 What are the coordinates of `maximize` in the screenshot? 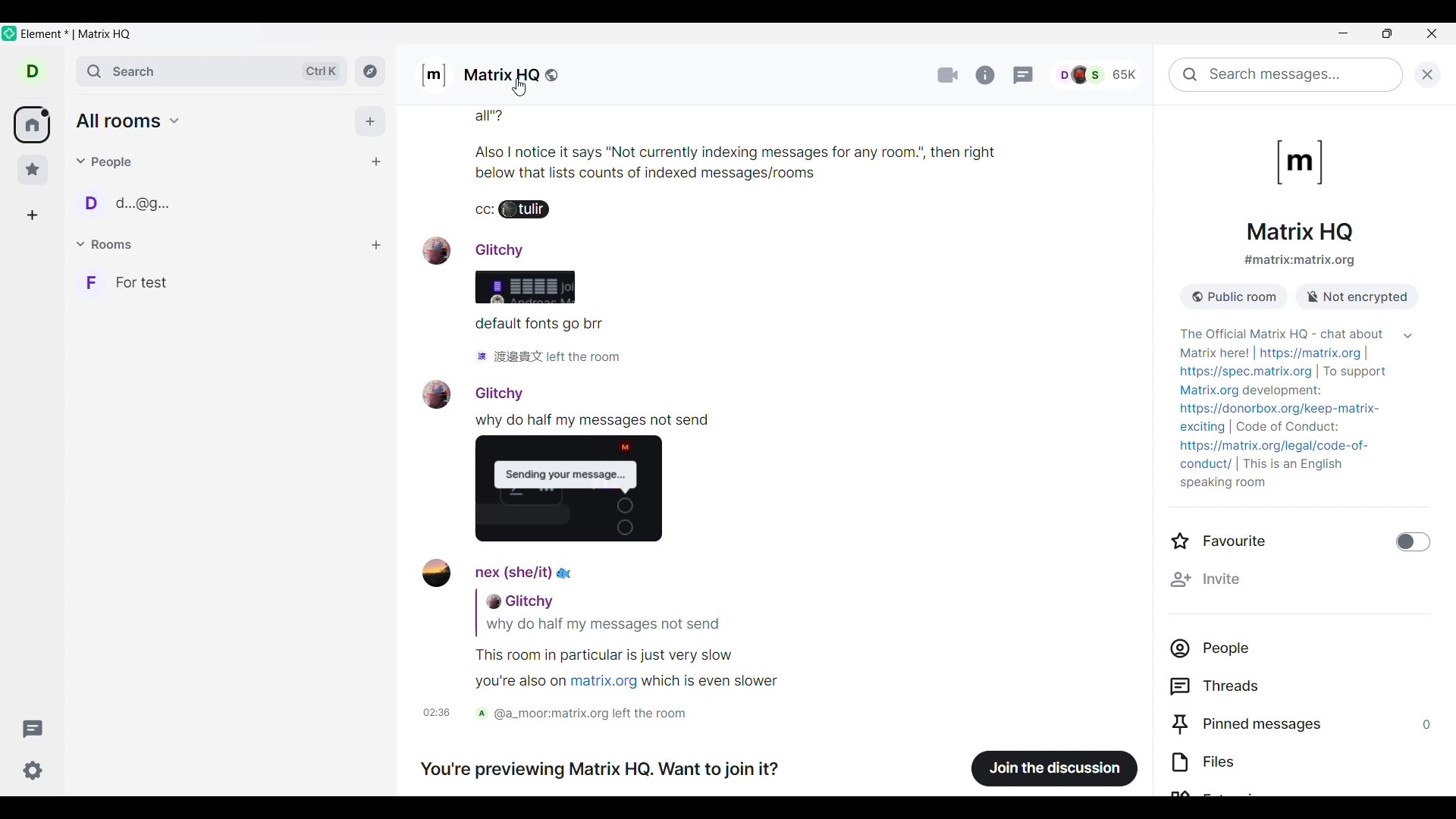 It's located at (1385, 36).